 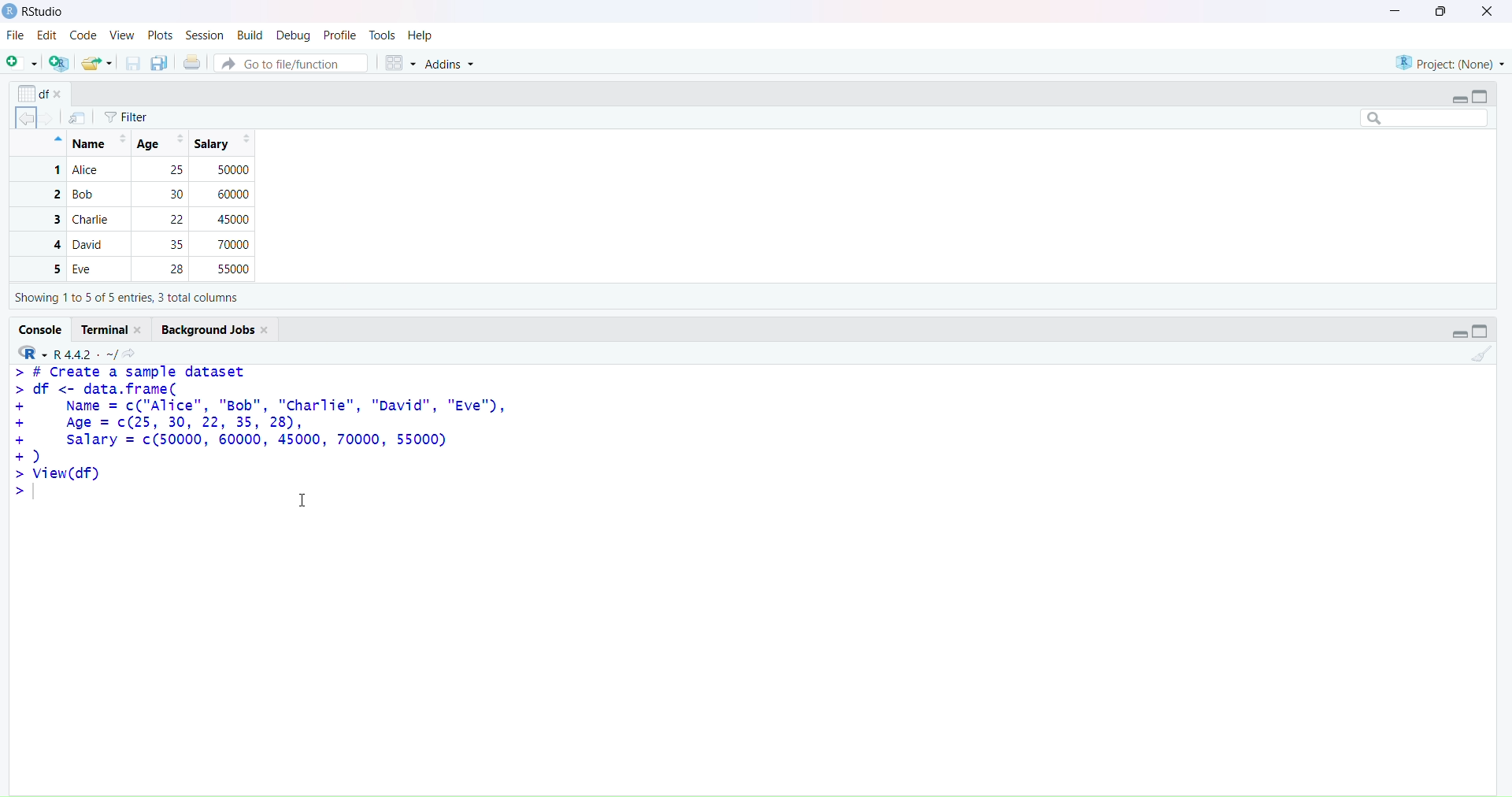 What do you see at coordinates (1486, 96) in the screenshot?
I see `collapse` at bounding box center [1486, 96].